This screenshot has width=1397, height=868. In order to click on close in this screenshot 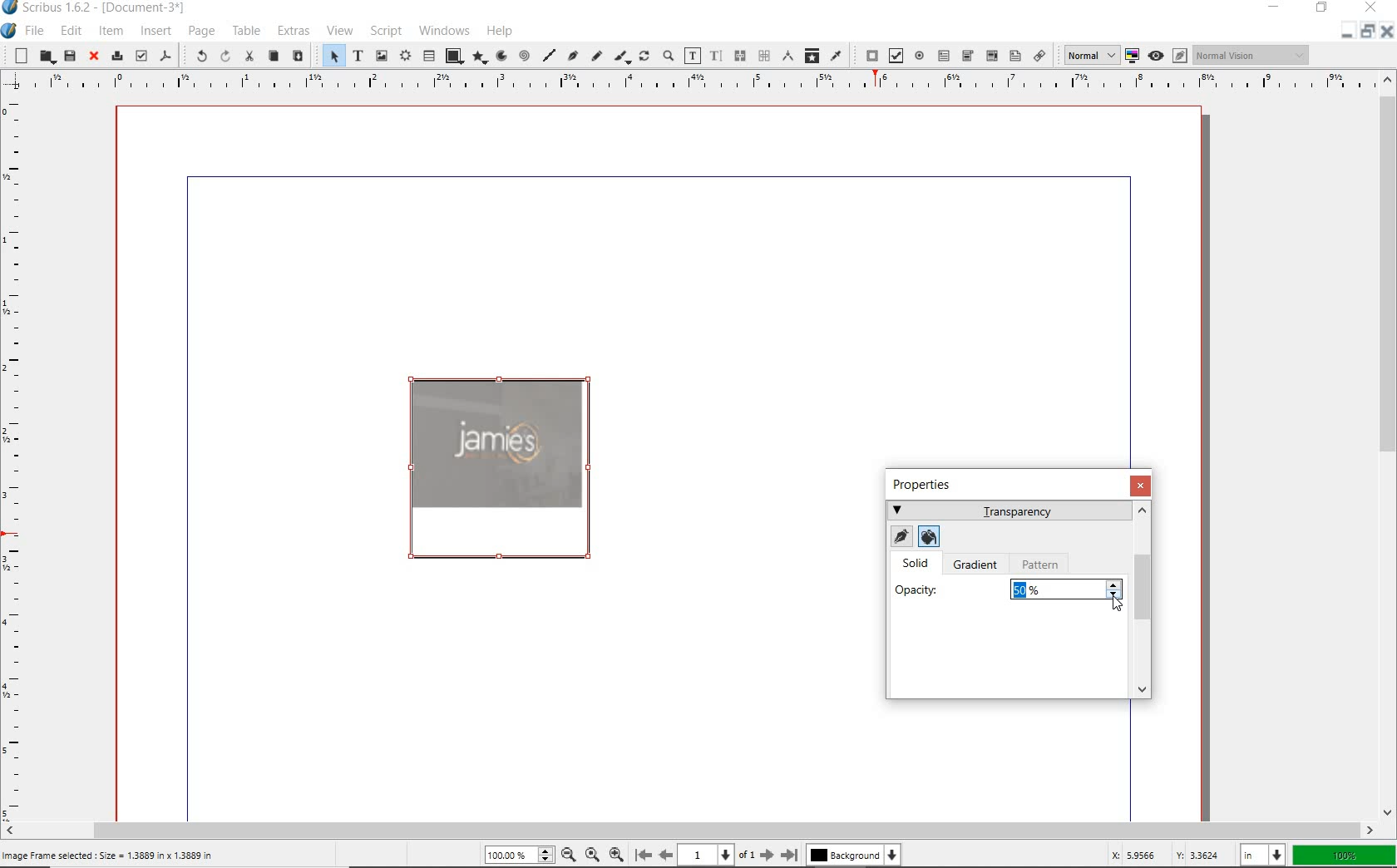, I will do `click(95, 56)`.